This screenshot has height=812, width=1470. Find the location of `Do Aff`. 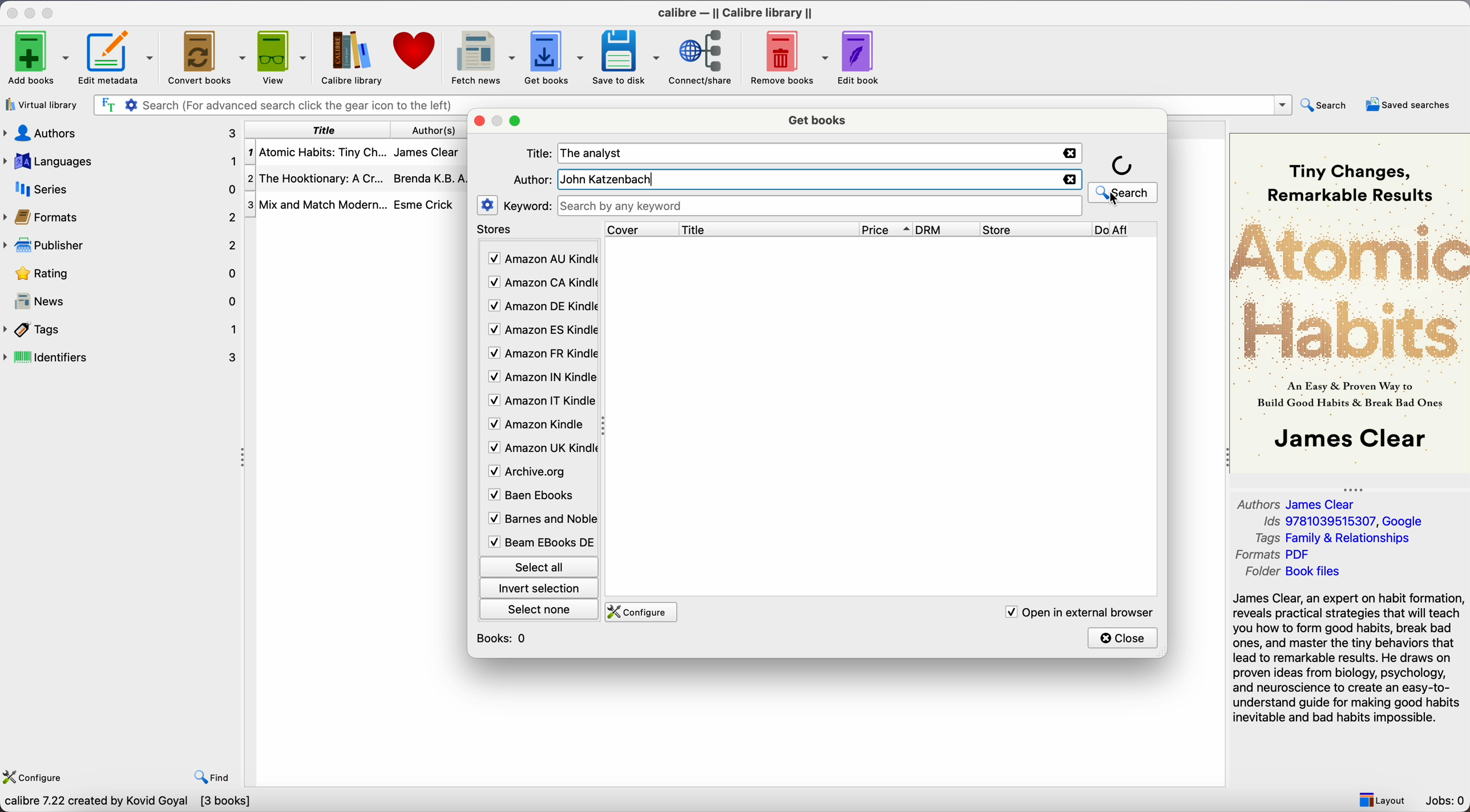

Do Aff is located at coordinates (1125, 230).